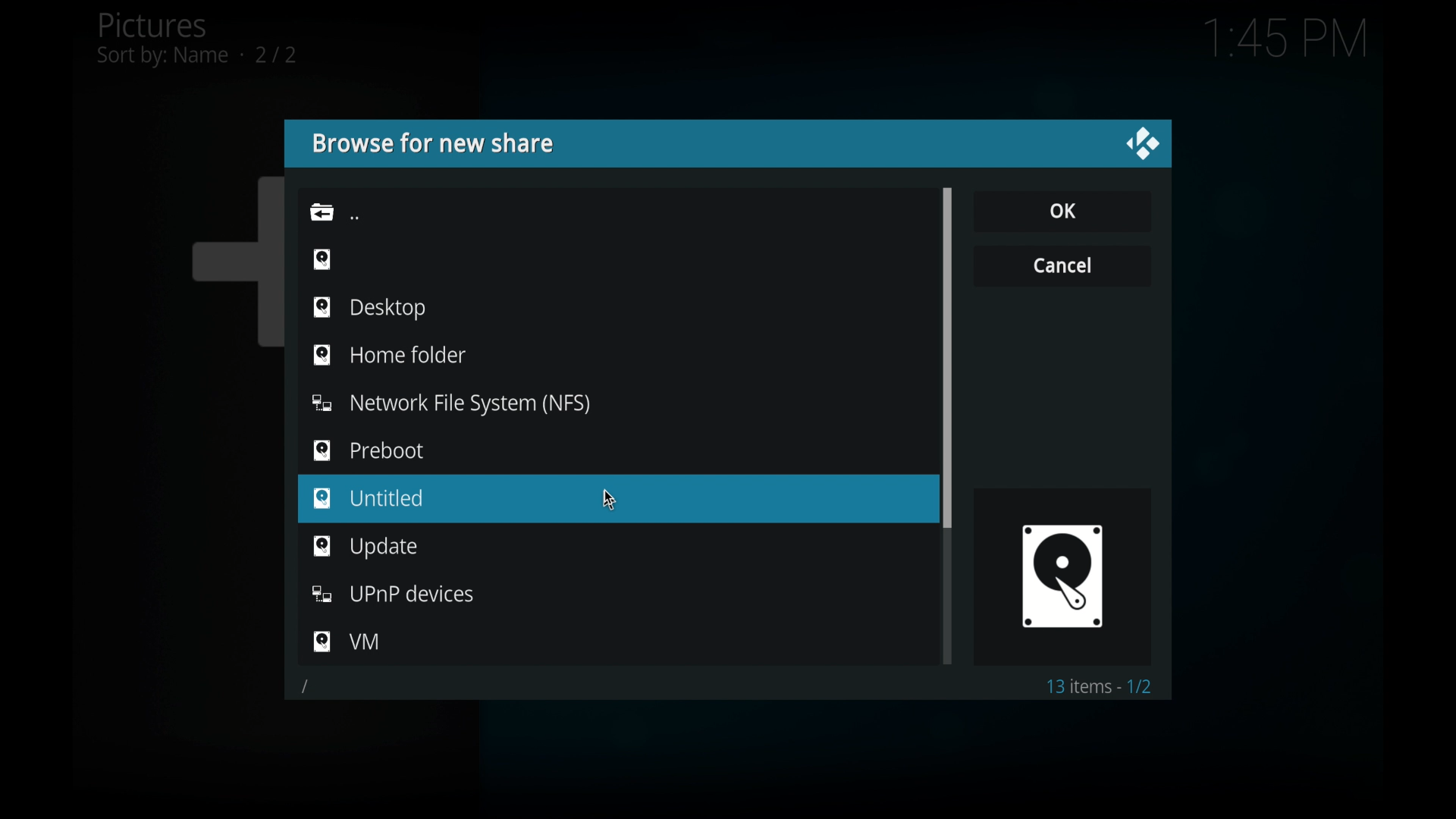 This screenshot has width=1456, height=819. What do you see at coordinates (322, 258) in the screenshot?
I see `browse ` at bounding box center [322, 258].